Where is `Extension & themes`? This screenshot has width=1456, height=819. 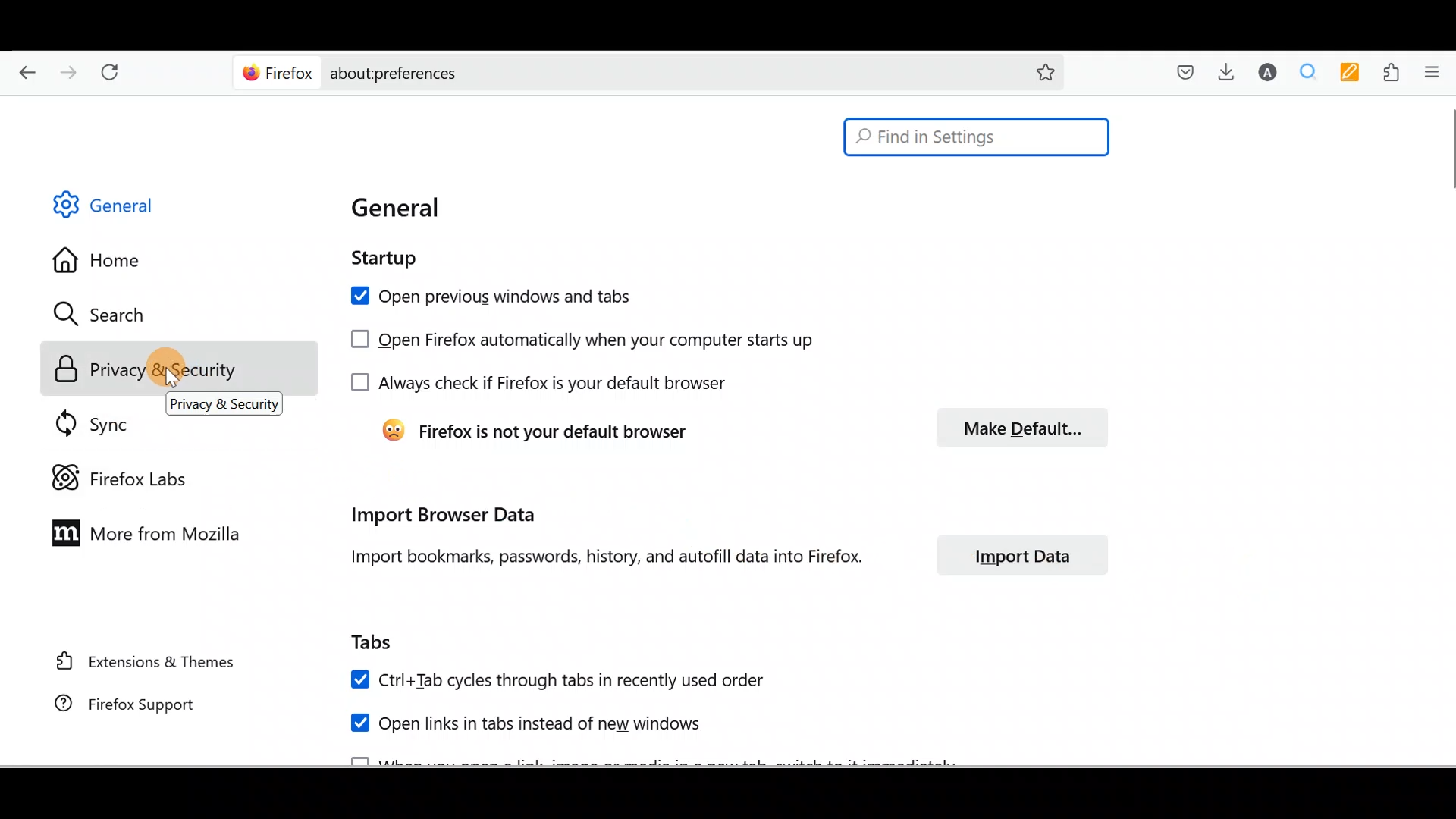
Extension & themes is located at coordinates (140, 666).